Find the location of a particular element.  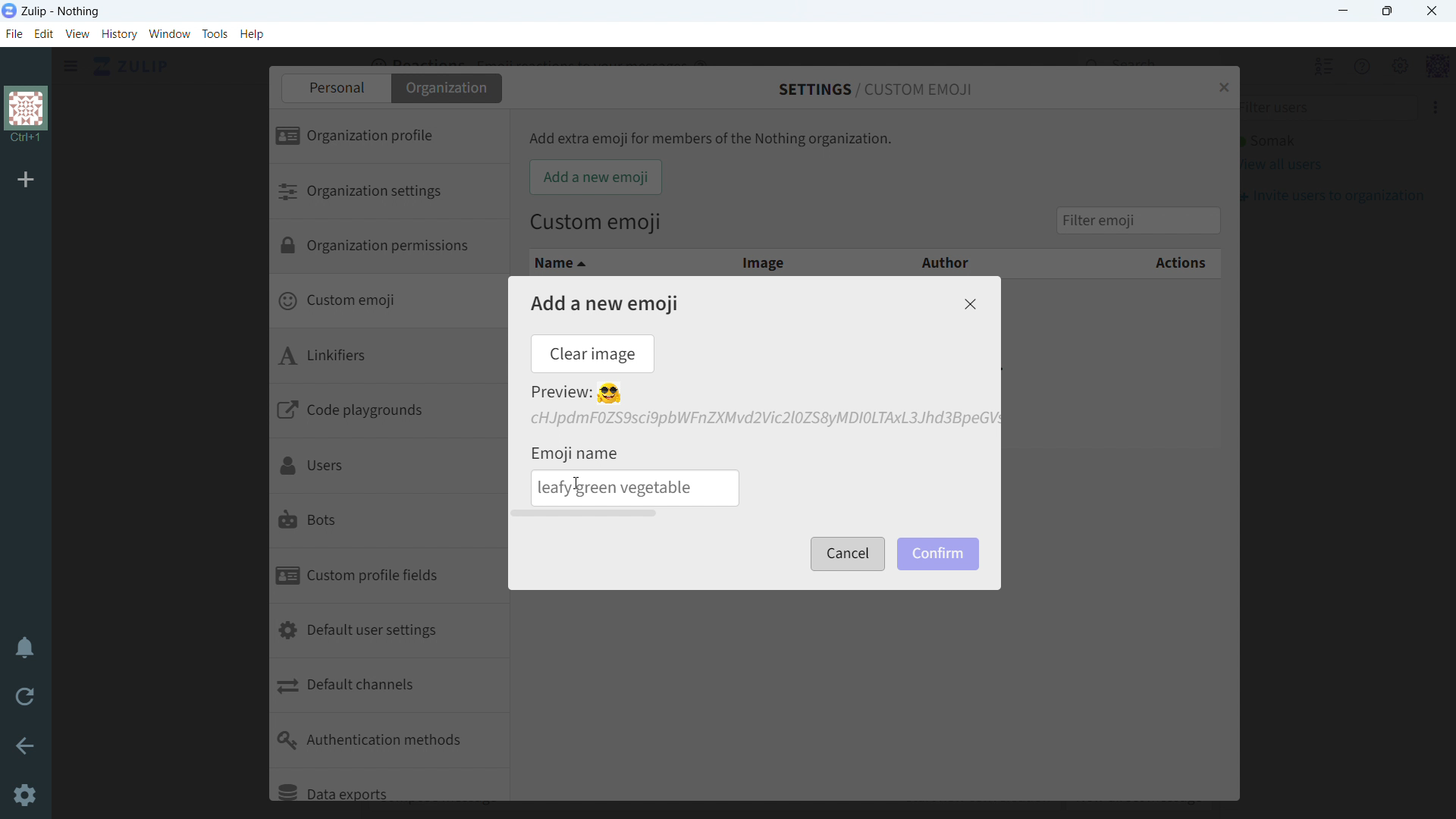

go to home view is located at coordinates (131, 67).